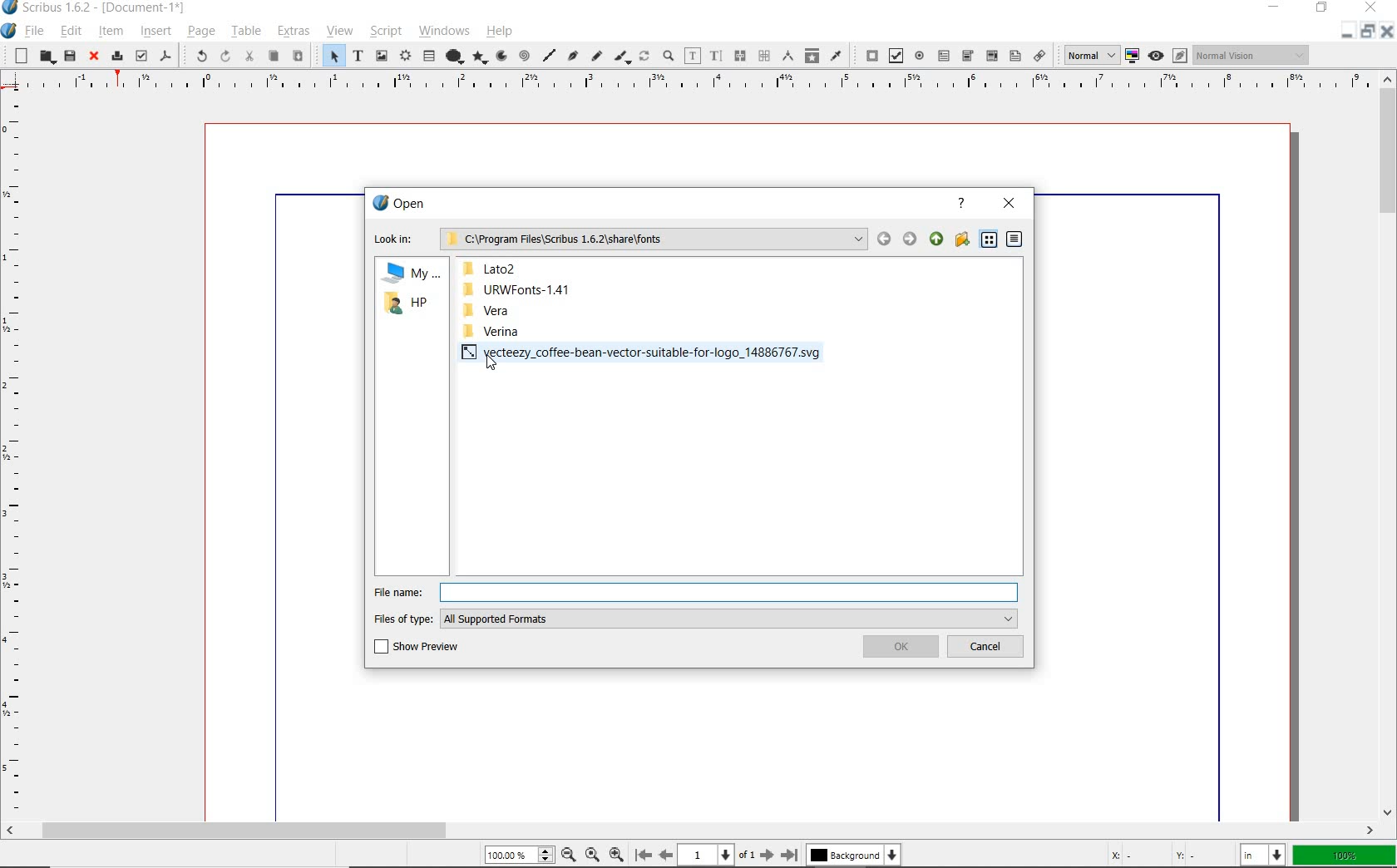 This screenshot has height=868, width=1397. I want to click on close, so click(1012, 202).